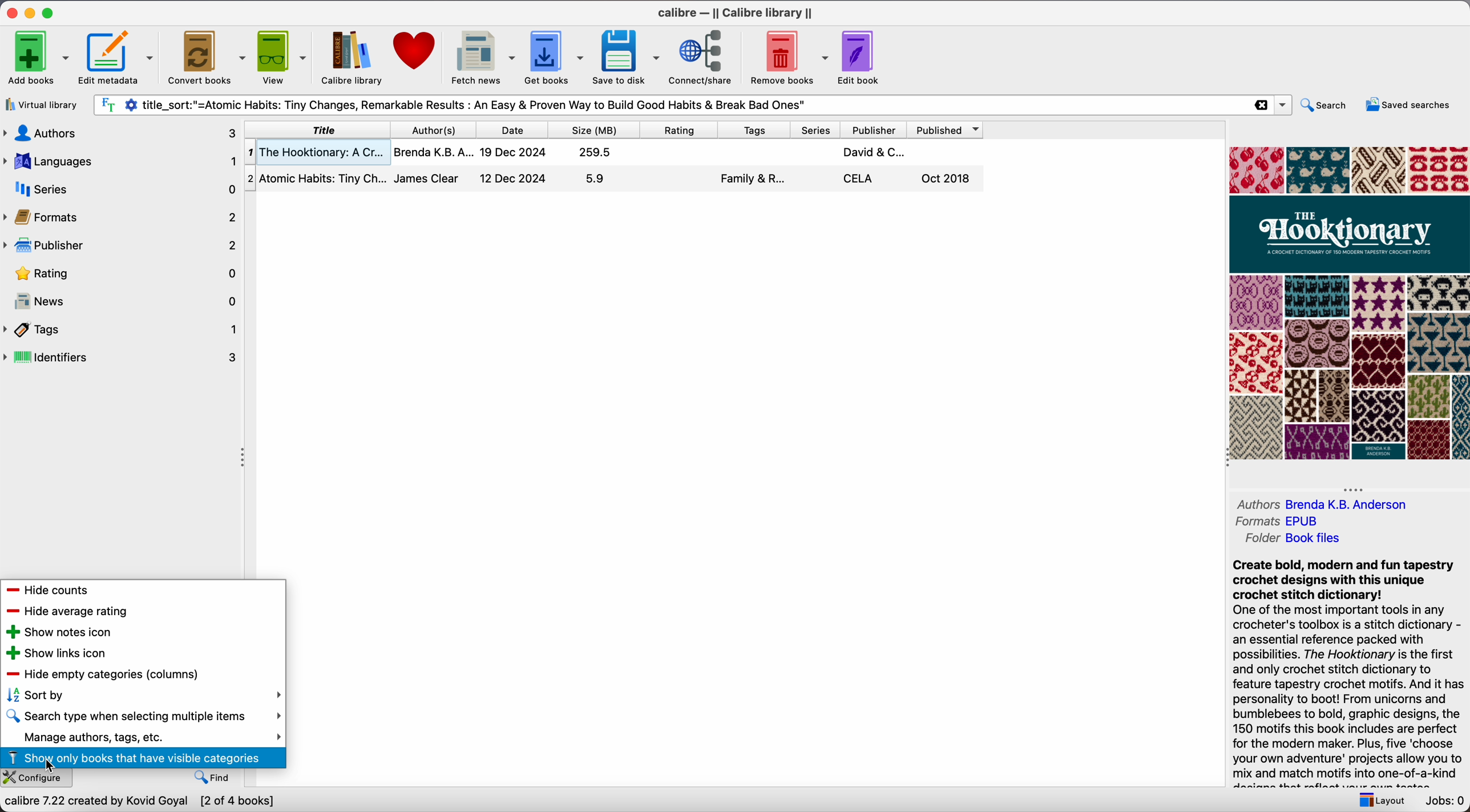 Image resolution: width=1470 pixels, height=812 pixels. What do you see at coordinates (122, 356) in the screenshot?
I see `identifiers` at bounding box center [122, 356].